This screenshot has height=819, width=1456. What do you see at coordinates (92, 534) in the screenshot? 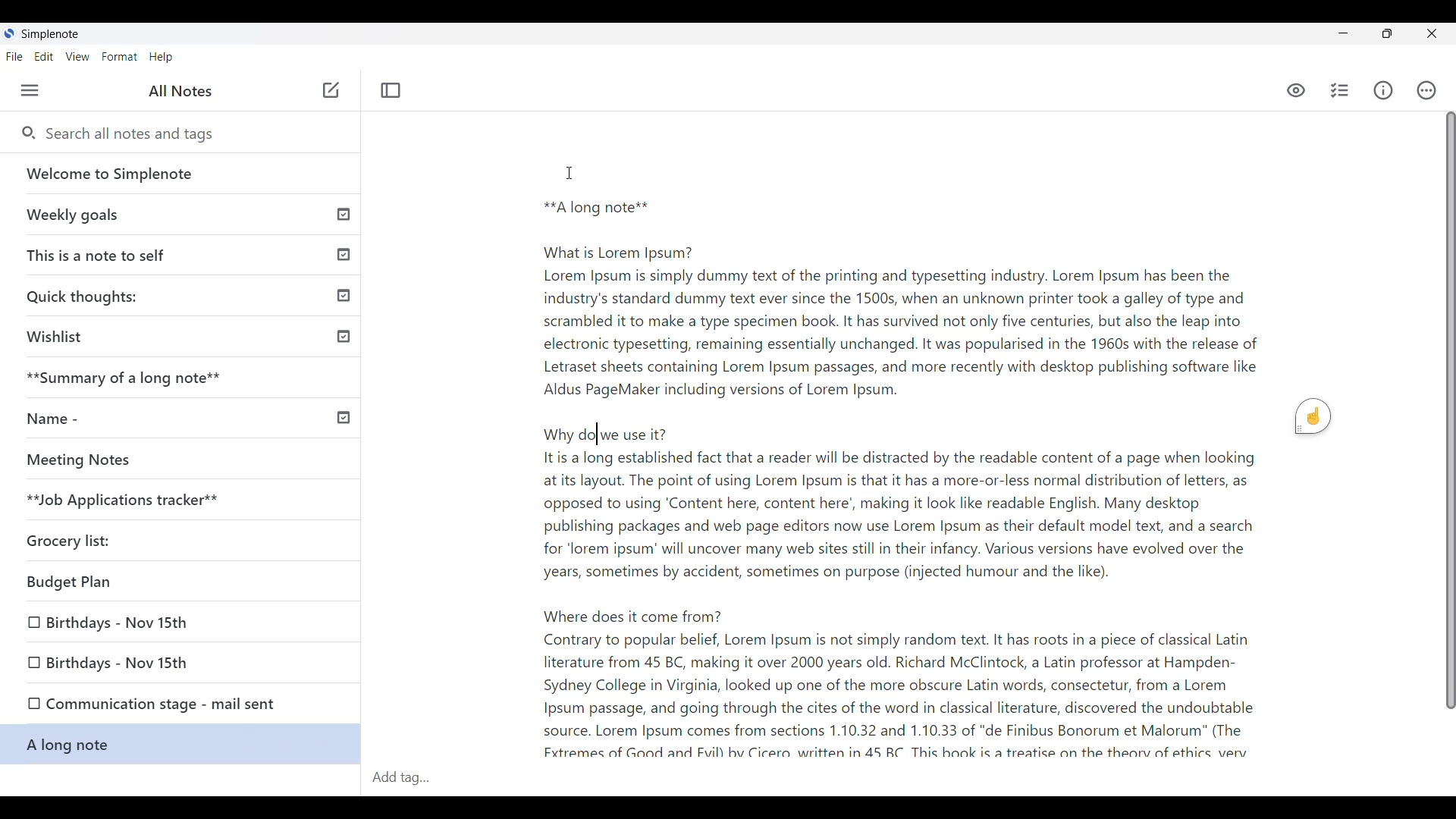
I see `Grocery list:` at bounding box center [92, 534].